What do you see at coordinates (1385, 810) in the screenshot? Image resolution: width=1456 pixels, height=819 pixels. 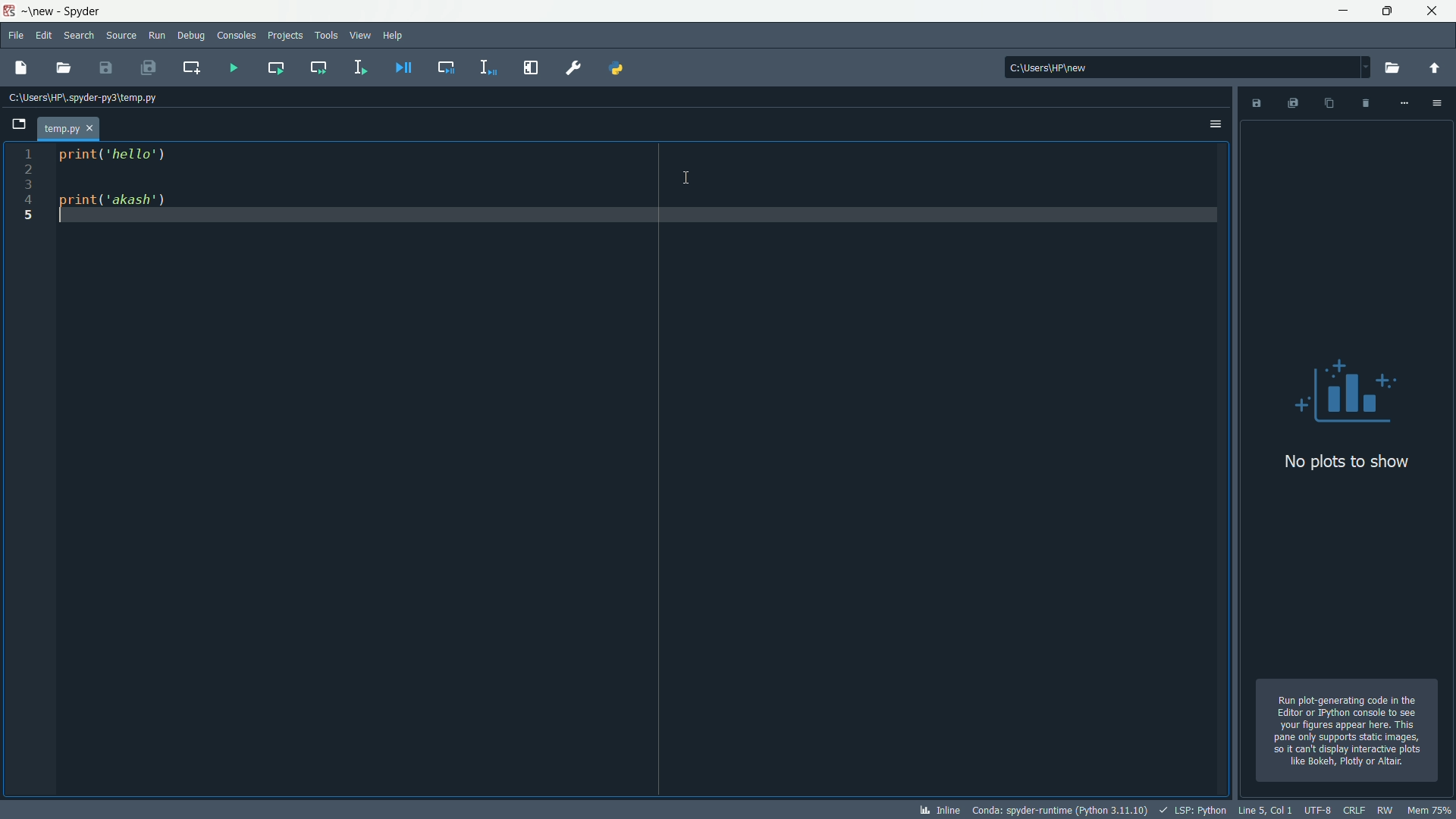 I see `rw` at bounding box center [1385, 810].